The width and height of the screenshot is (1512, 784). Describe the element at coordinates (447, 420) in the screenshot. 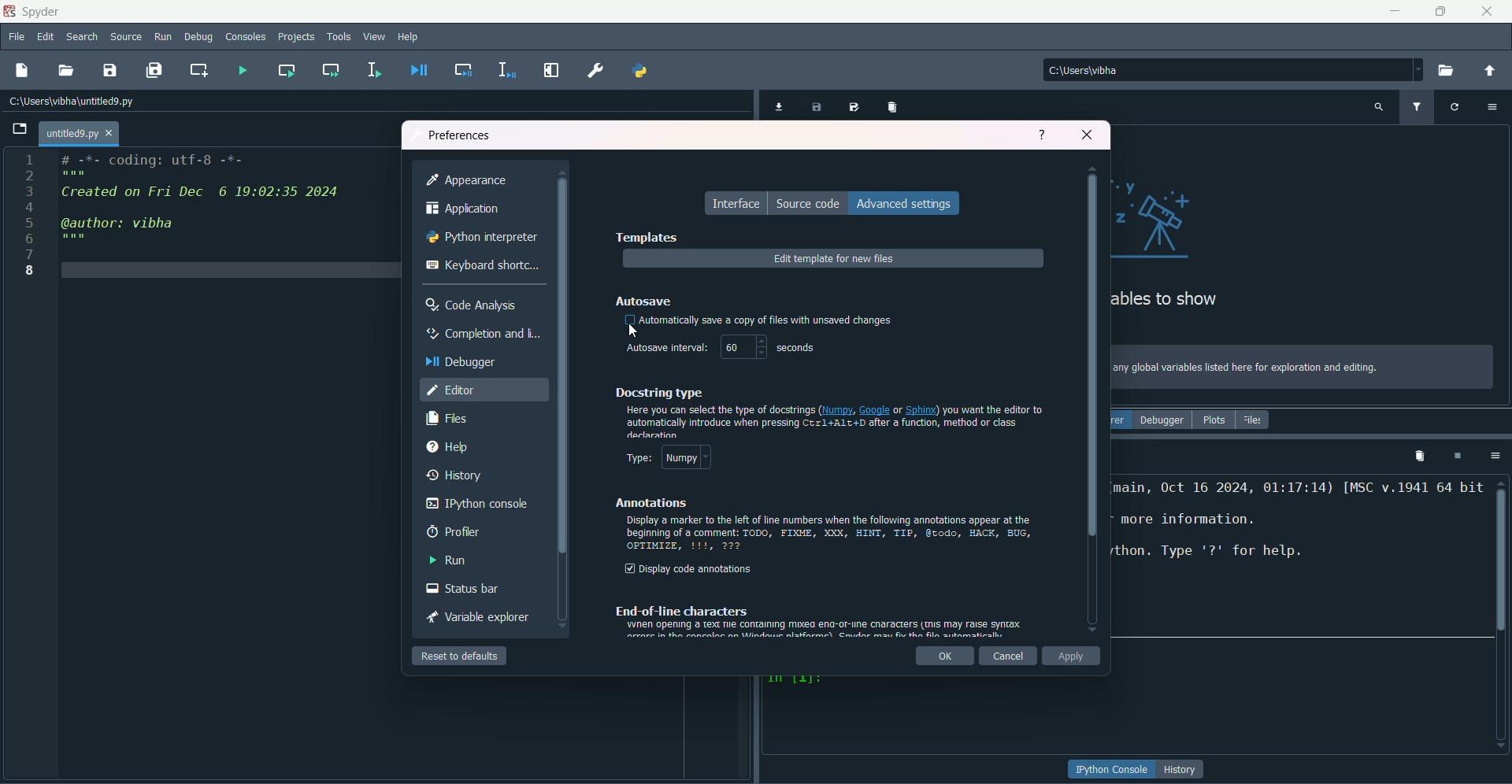

I see `files` at that location.